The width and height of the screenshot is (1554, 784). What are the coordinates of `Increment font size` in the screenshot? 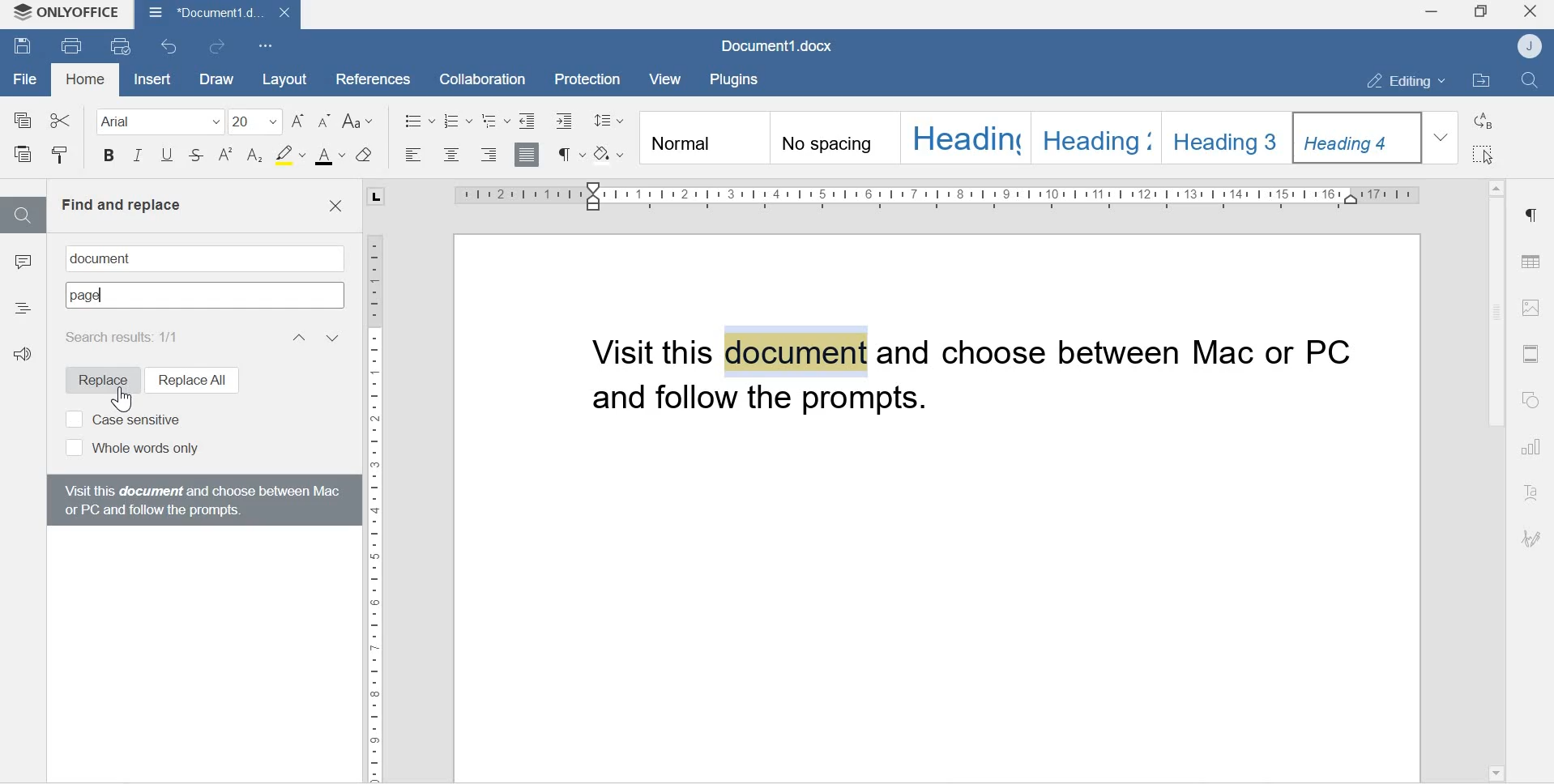 It's located at (300, 121).